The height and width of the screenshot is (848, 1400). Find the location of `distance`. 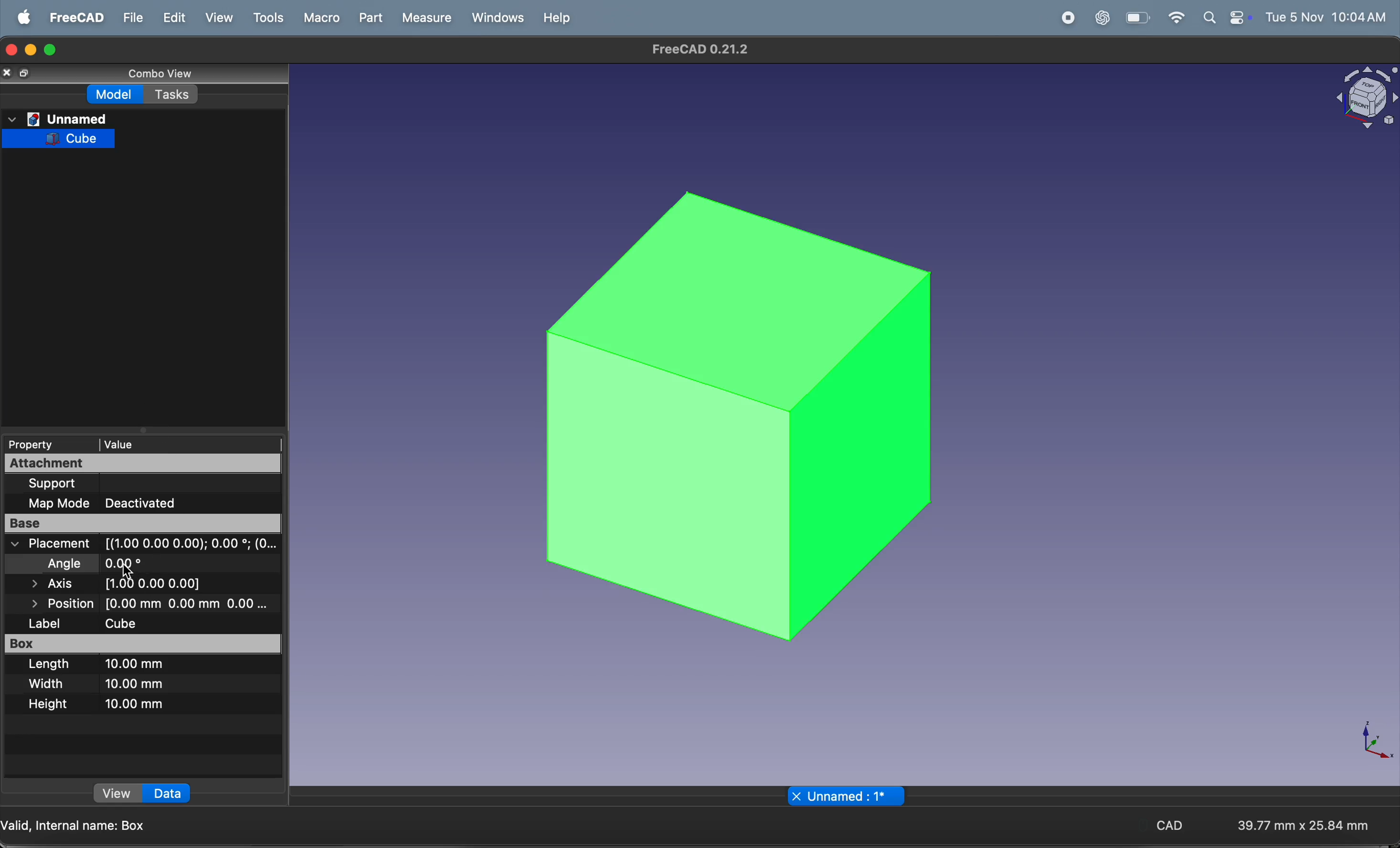

distance is located at coordinates (188, 605).